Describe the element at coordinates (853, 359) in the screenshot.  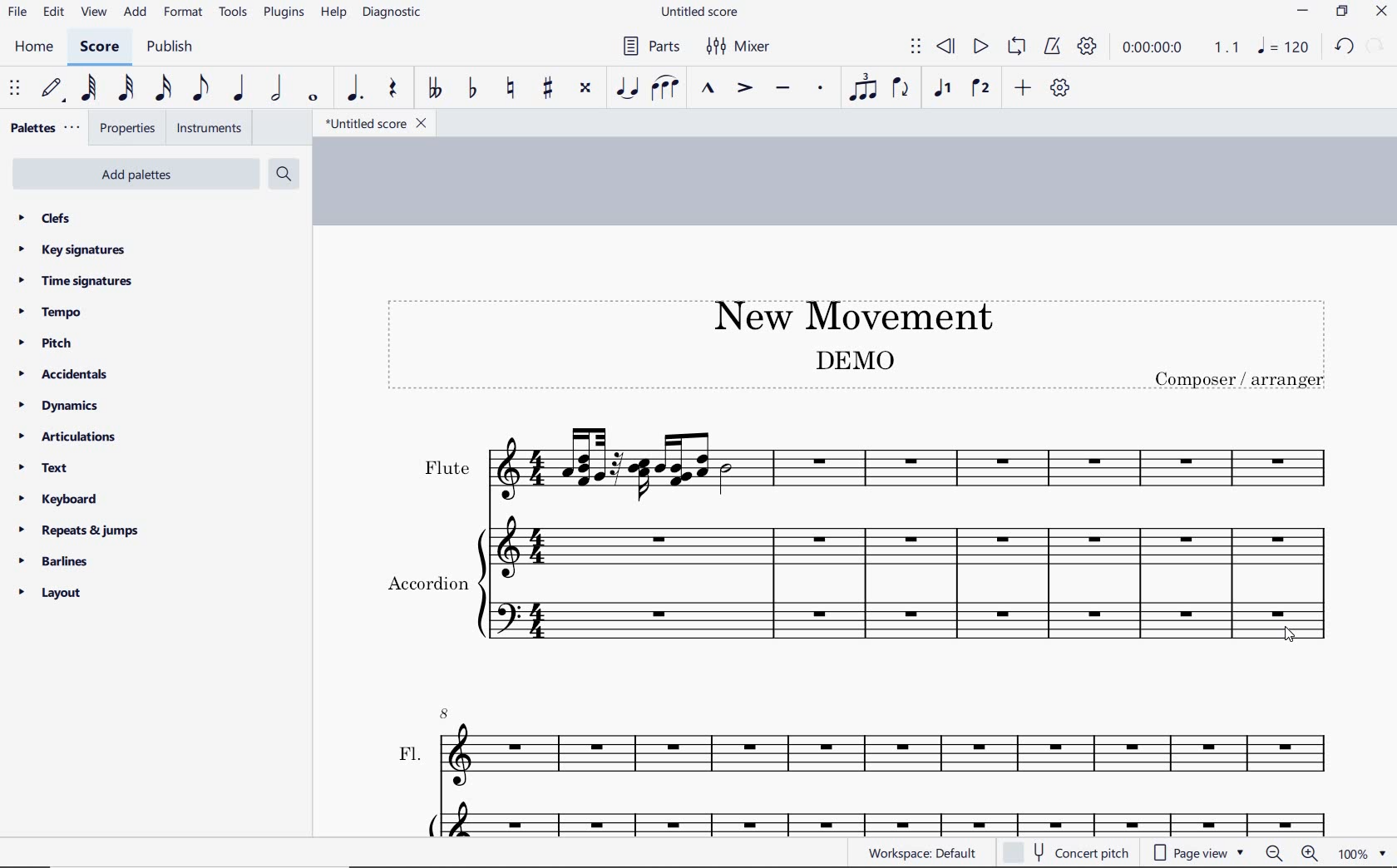
I see `text` at that location.